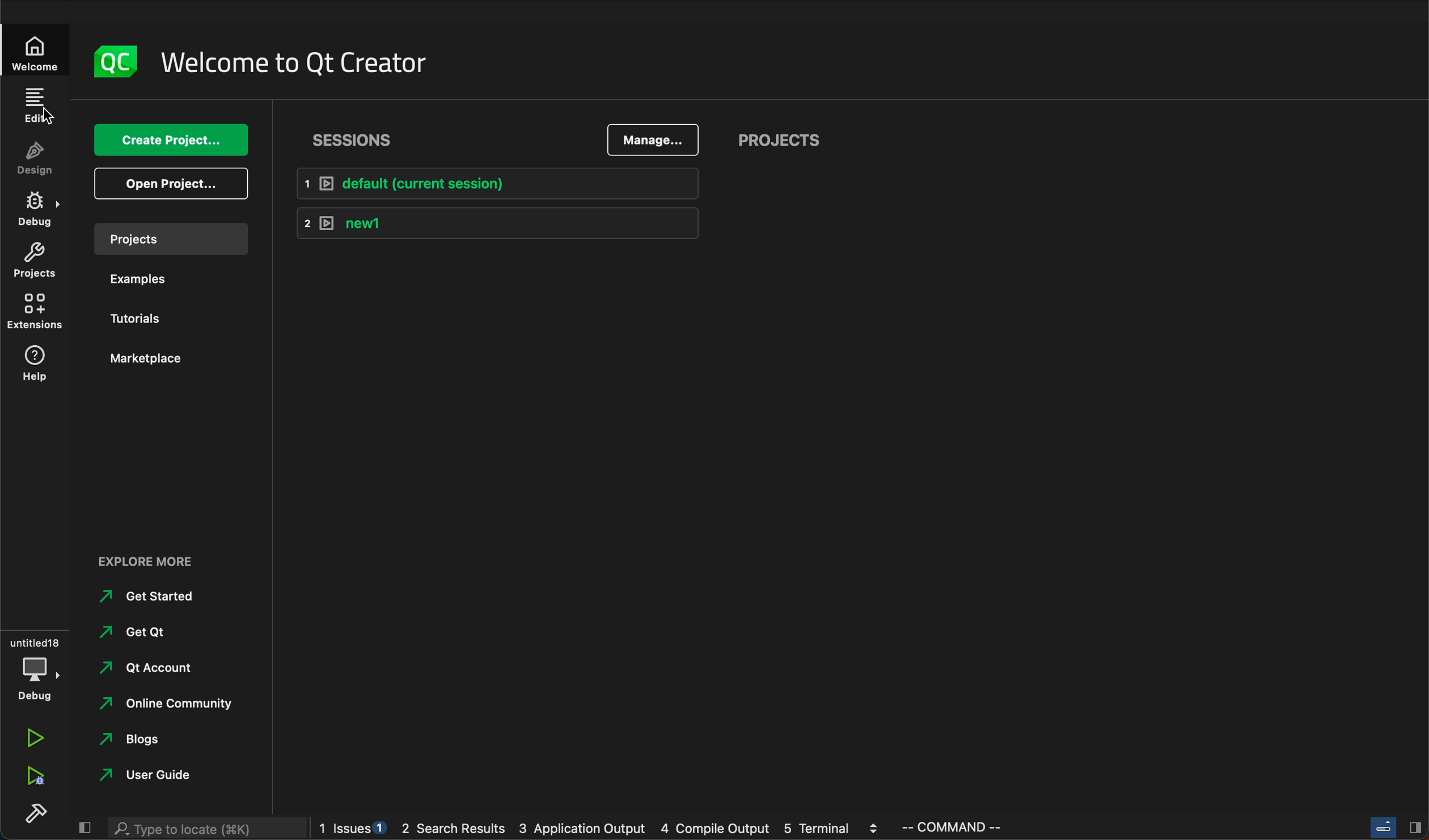  What do you see at coordinates (33, 159) in the screenshot?
I see `design` at bounding box center [33, 159].